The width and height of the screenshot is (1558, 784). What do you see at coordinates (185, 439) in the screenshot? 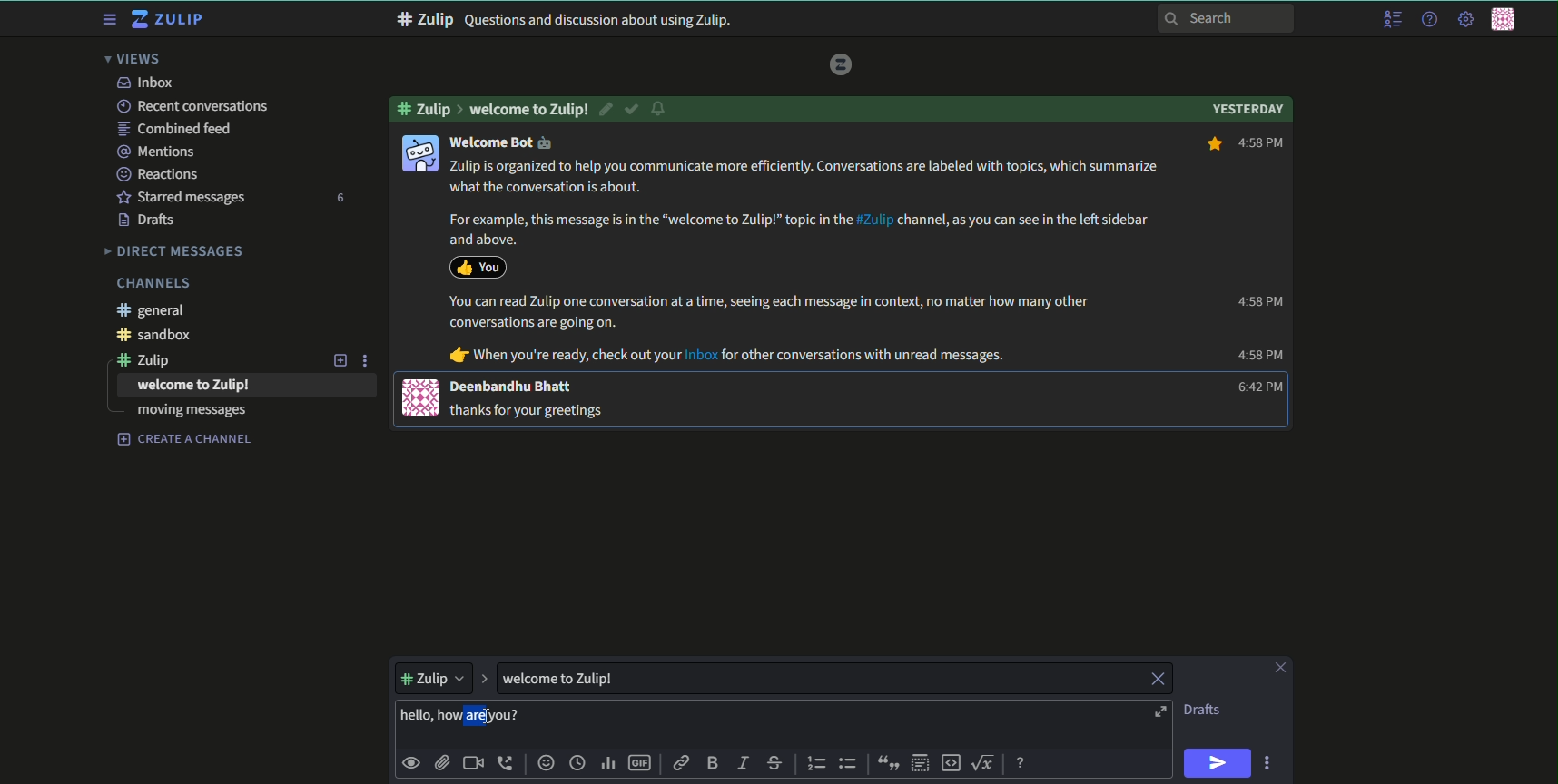
I see `create a channel` at bounding box center [185, 439].